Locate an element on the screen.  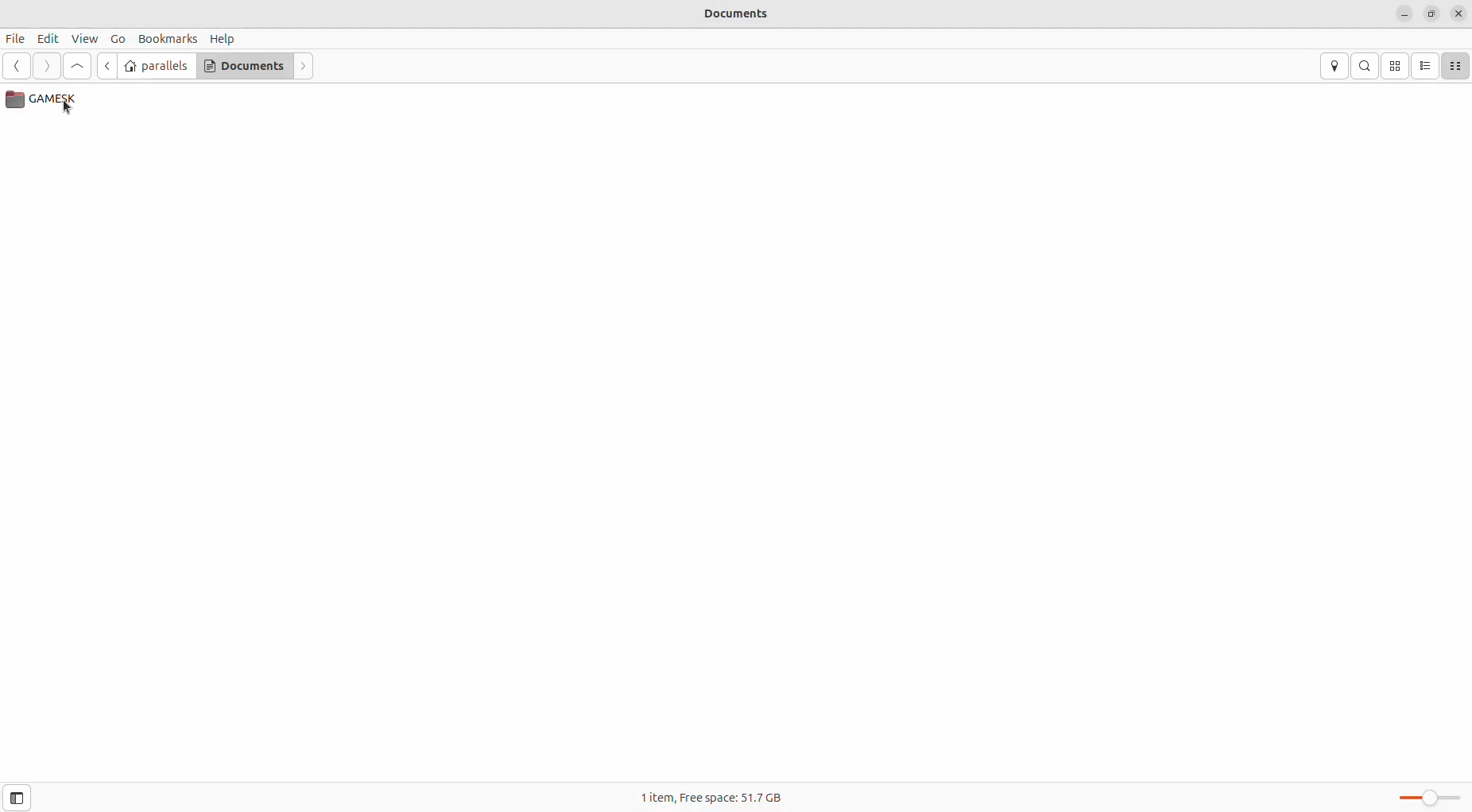
previous is located at coordinates (17, 65).